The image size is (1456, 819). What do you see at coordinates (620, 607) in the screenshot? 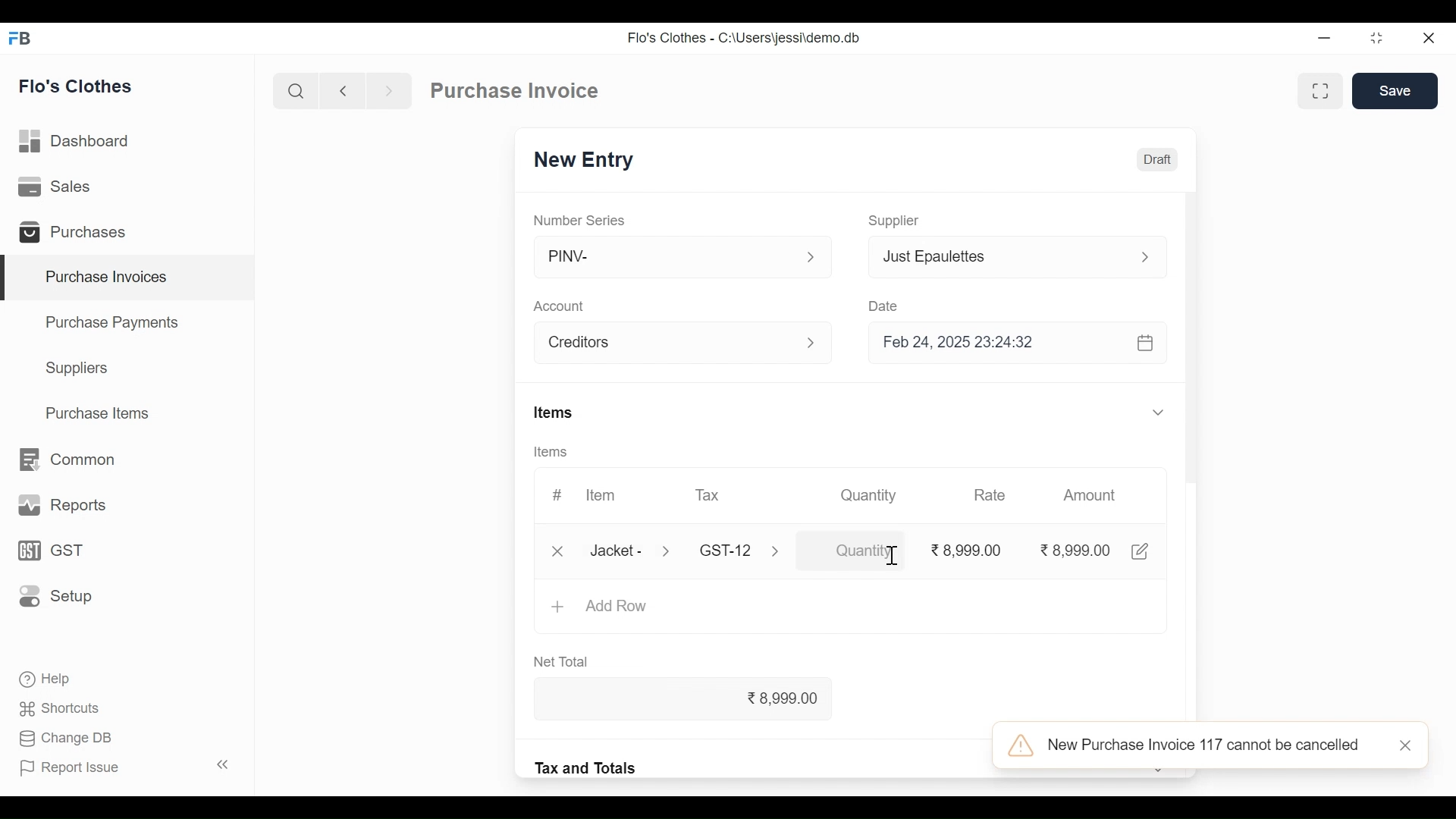
I see `Add Row` at bounding box center [620, 607].